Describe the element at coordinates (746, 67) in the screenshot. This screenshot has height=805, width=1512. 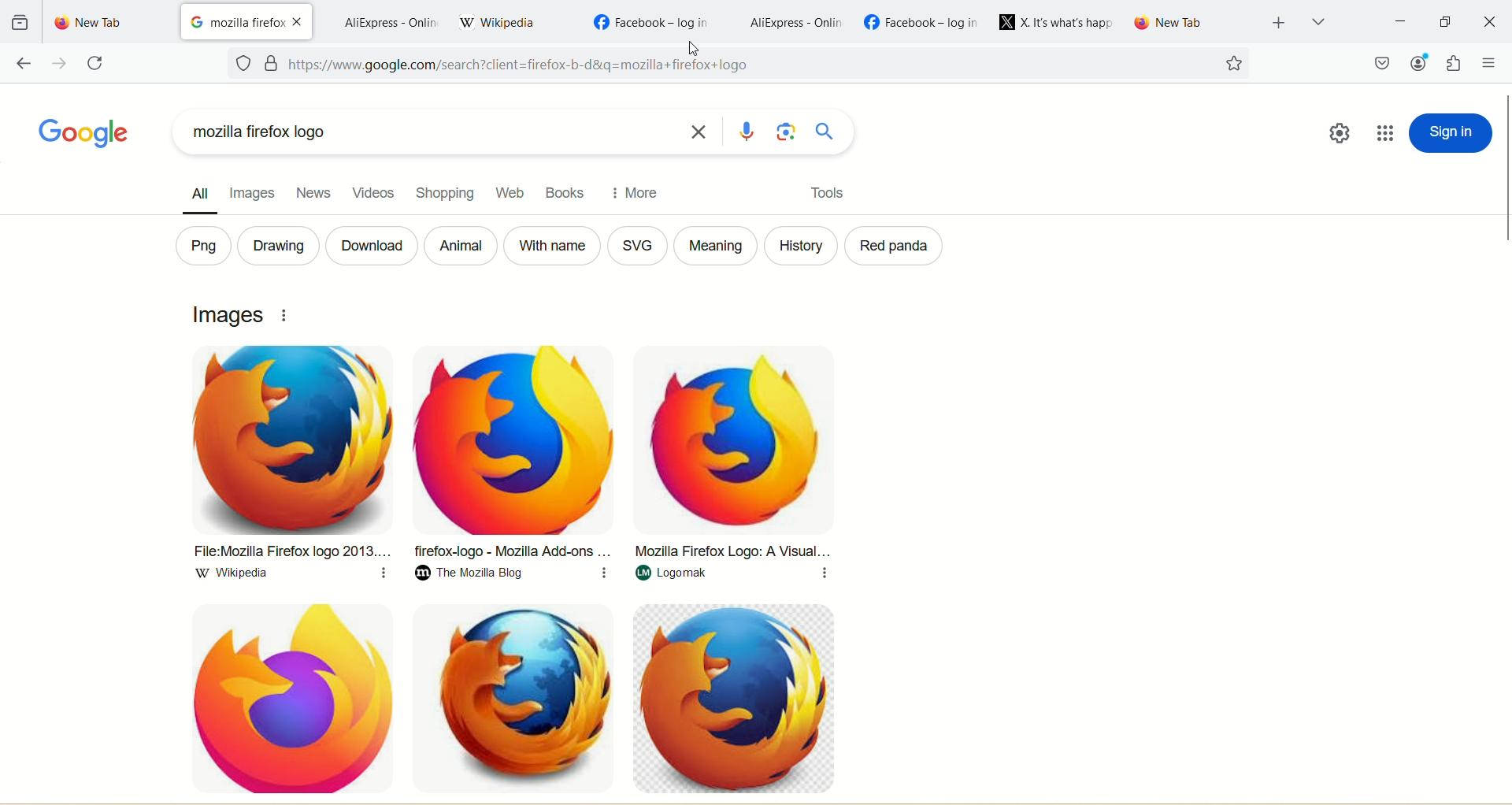
I see `https://www.google.com/search?client=firefox-b-d&q=mozilla+firefox+logo` at that location.